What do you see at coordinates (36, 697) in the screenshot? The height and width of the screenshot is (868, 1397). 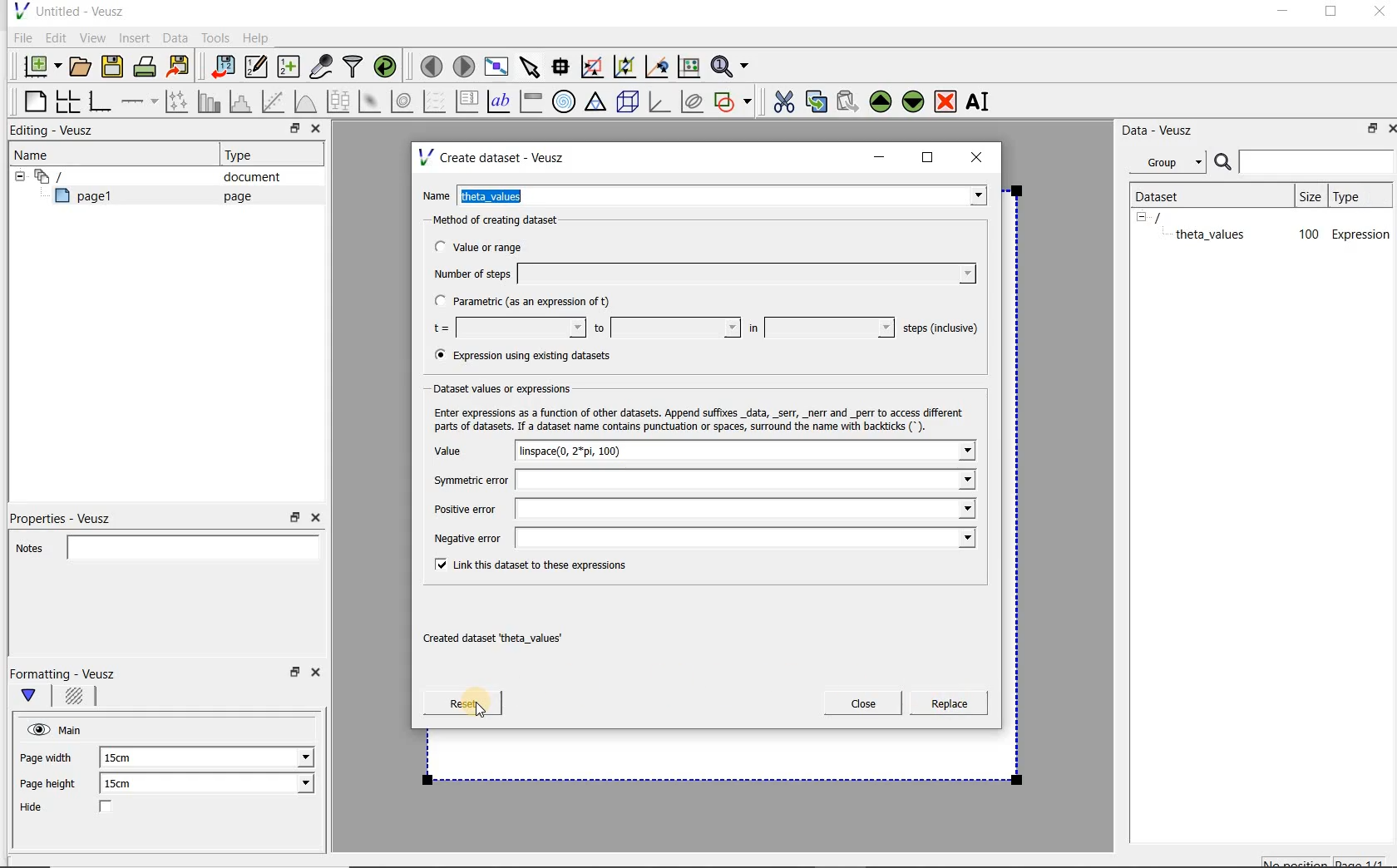 I see `Main formatting` at bounding box center [36, 697].